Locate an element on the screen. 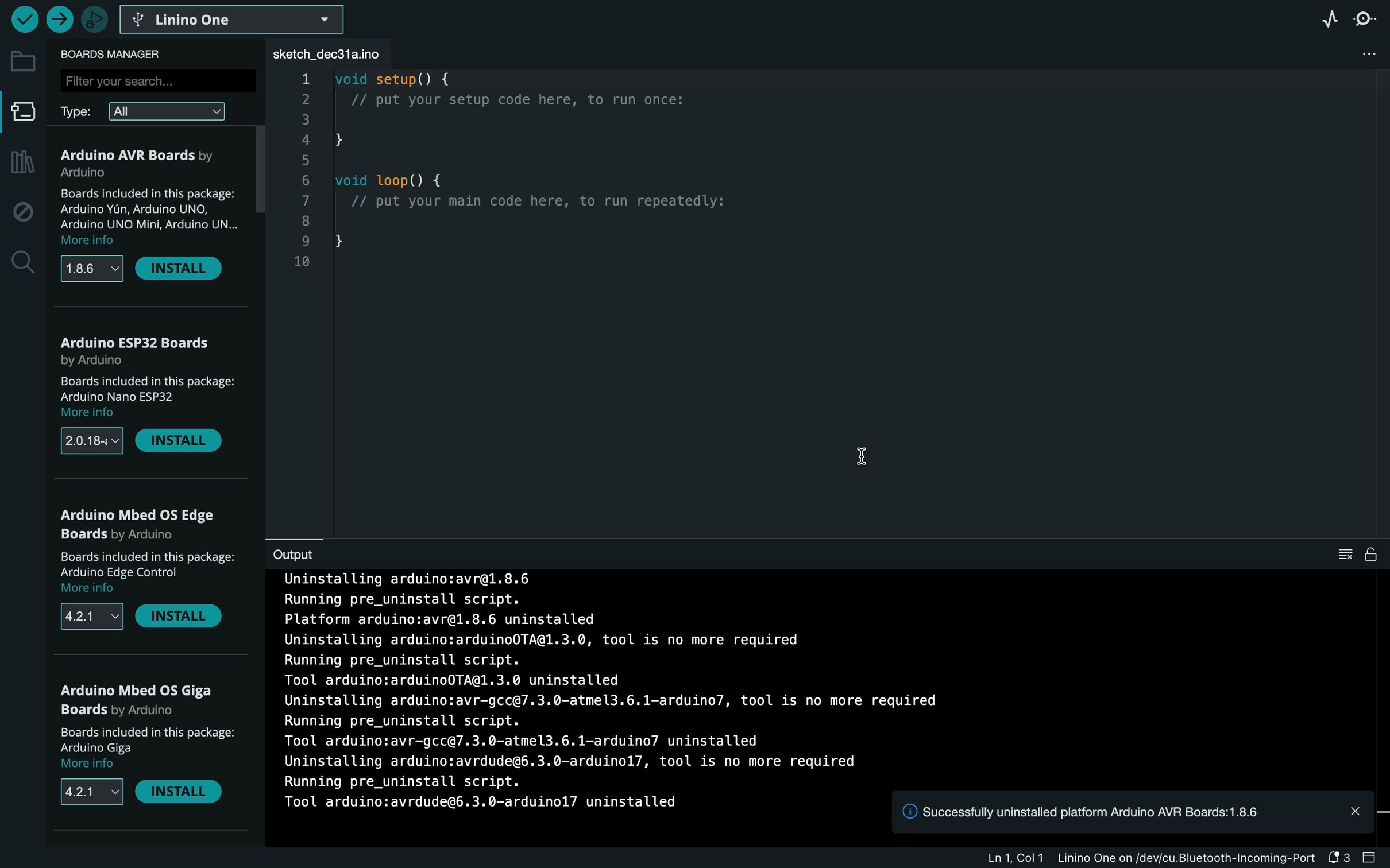 The height and width of the screenshot is (868, 1390). verify is located at coordinates (24, 22).